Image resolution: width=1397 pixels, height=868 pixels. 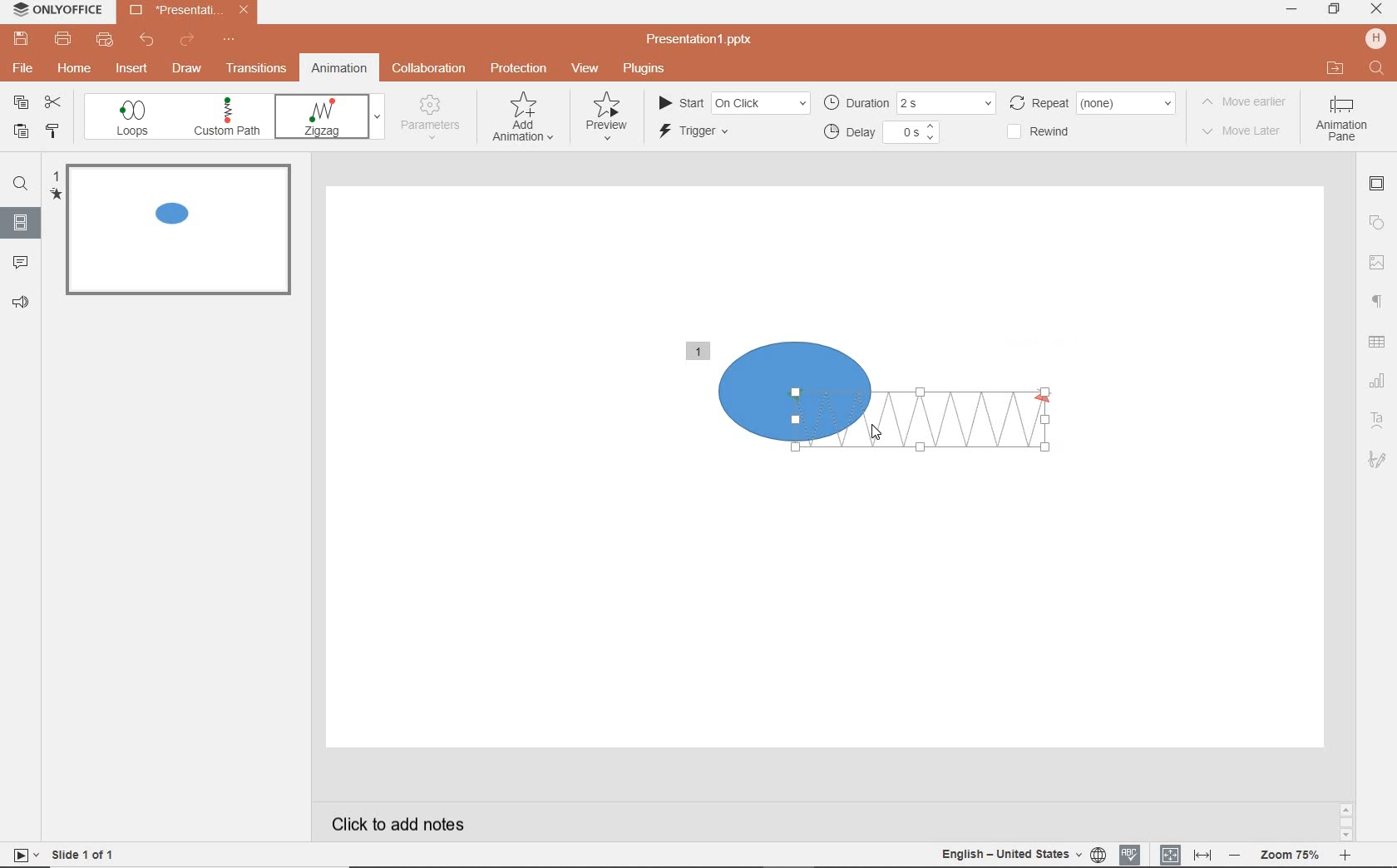 What do you see at coordinates (908, 102) in the screenshot?
I see `duration` at bounding box center [908, 102].